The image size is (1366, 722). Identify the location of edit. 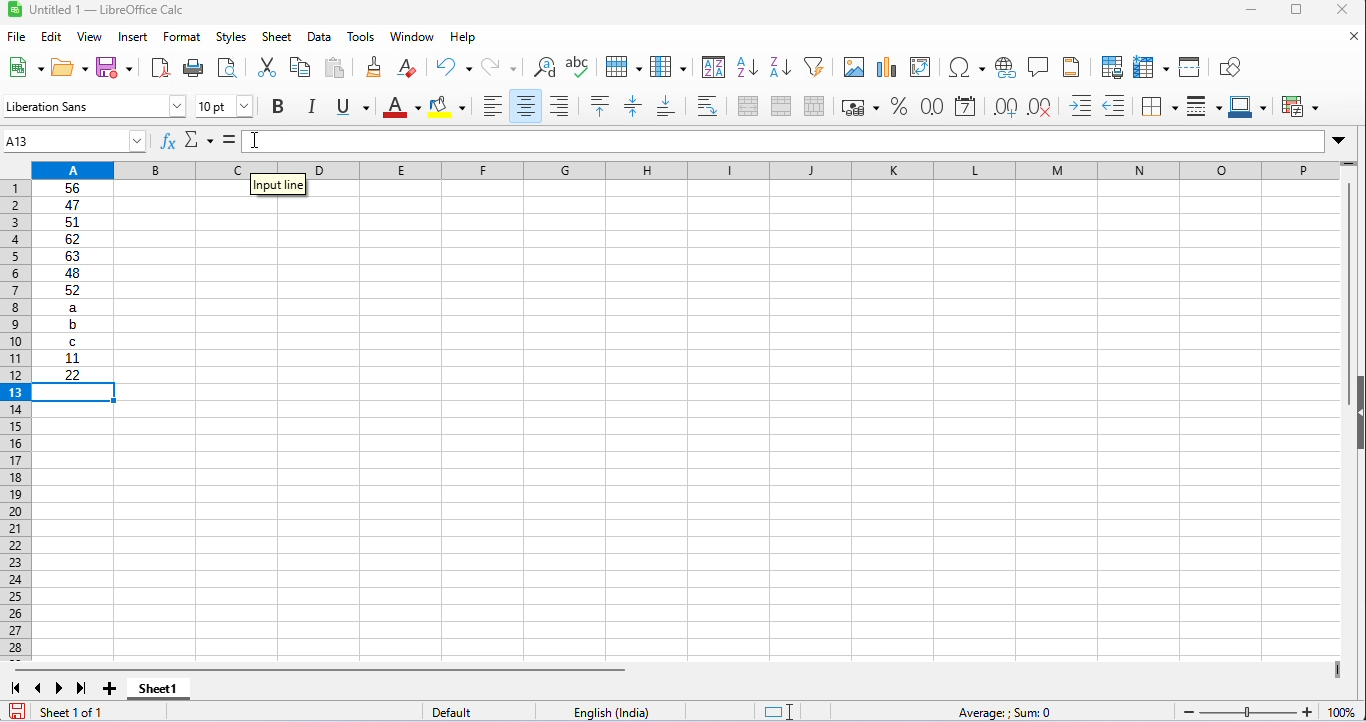
(51, 36).